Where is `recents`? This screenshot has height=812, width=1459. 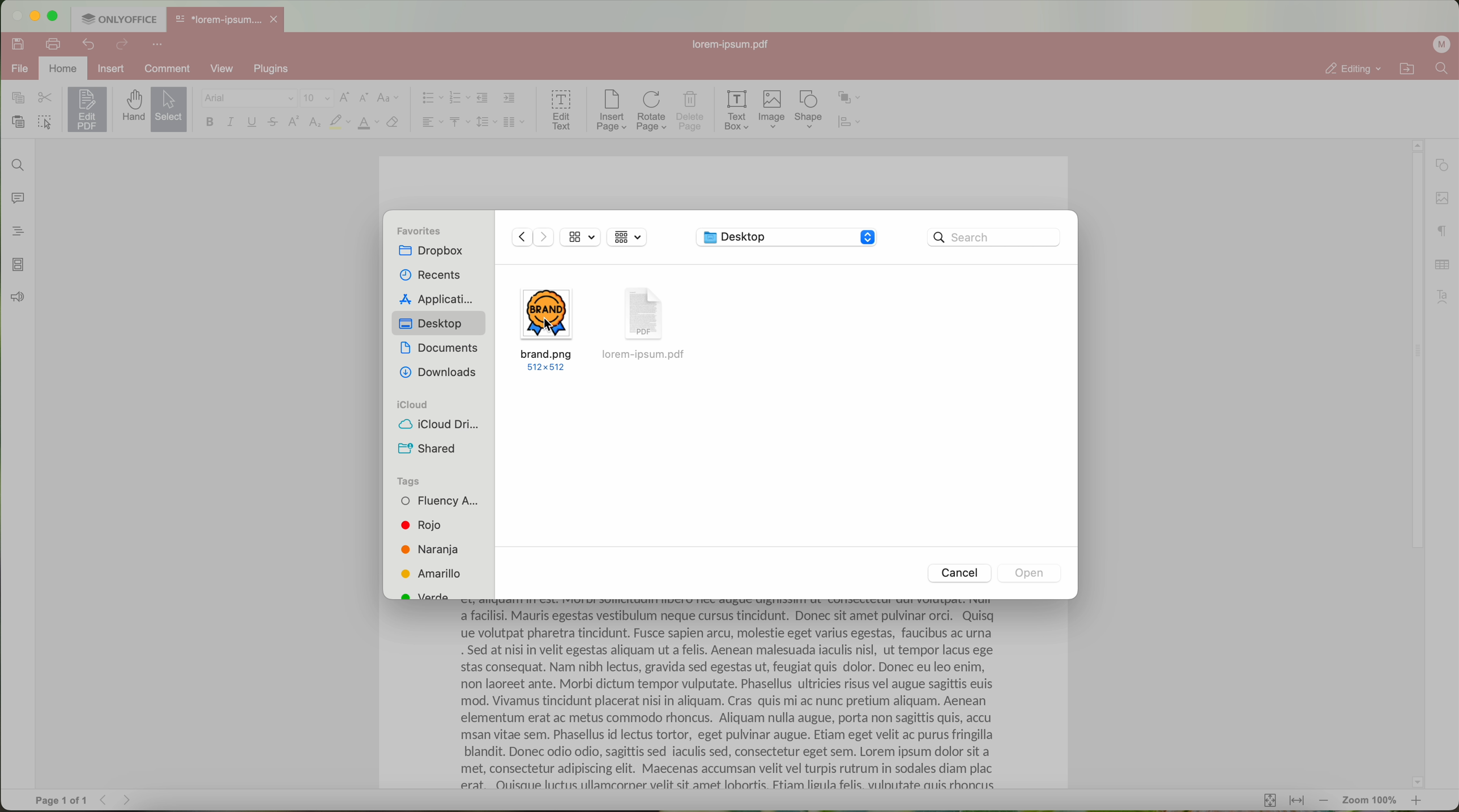
recents is located at coordinates (429, 275).